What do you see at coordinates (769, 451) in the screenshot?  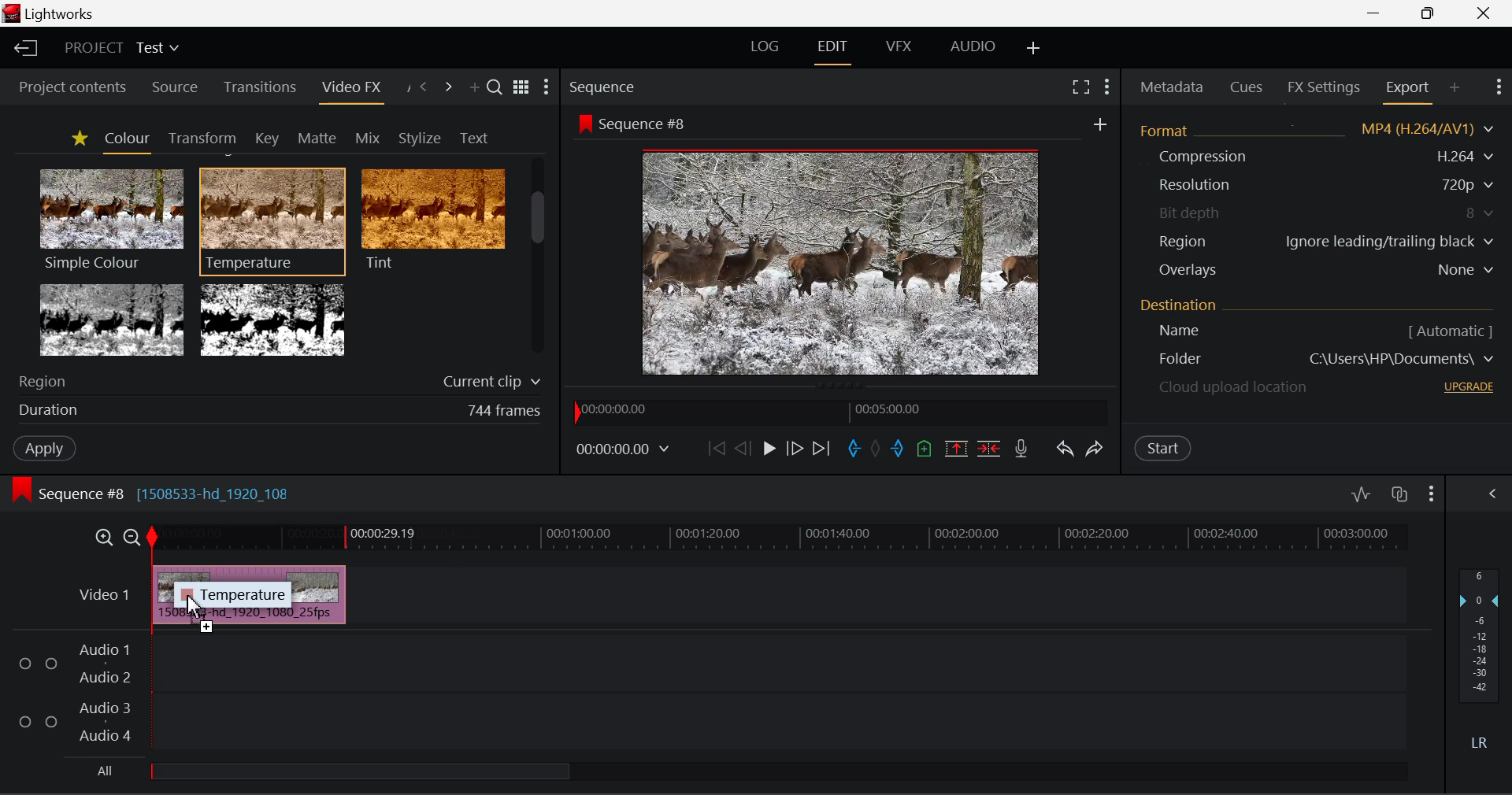 I see `Play` at bounding box center [769, 451].